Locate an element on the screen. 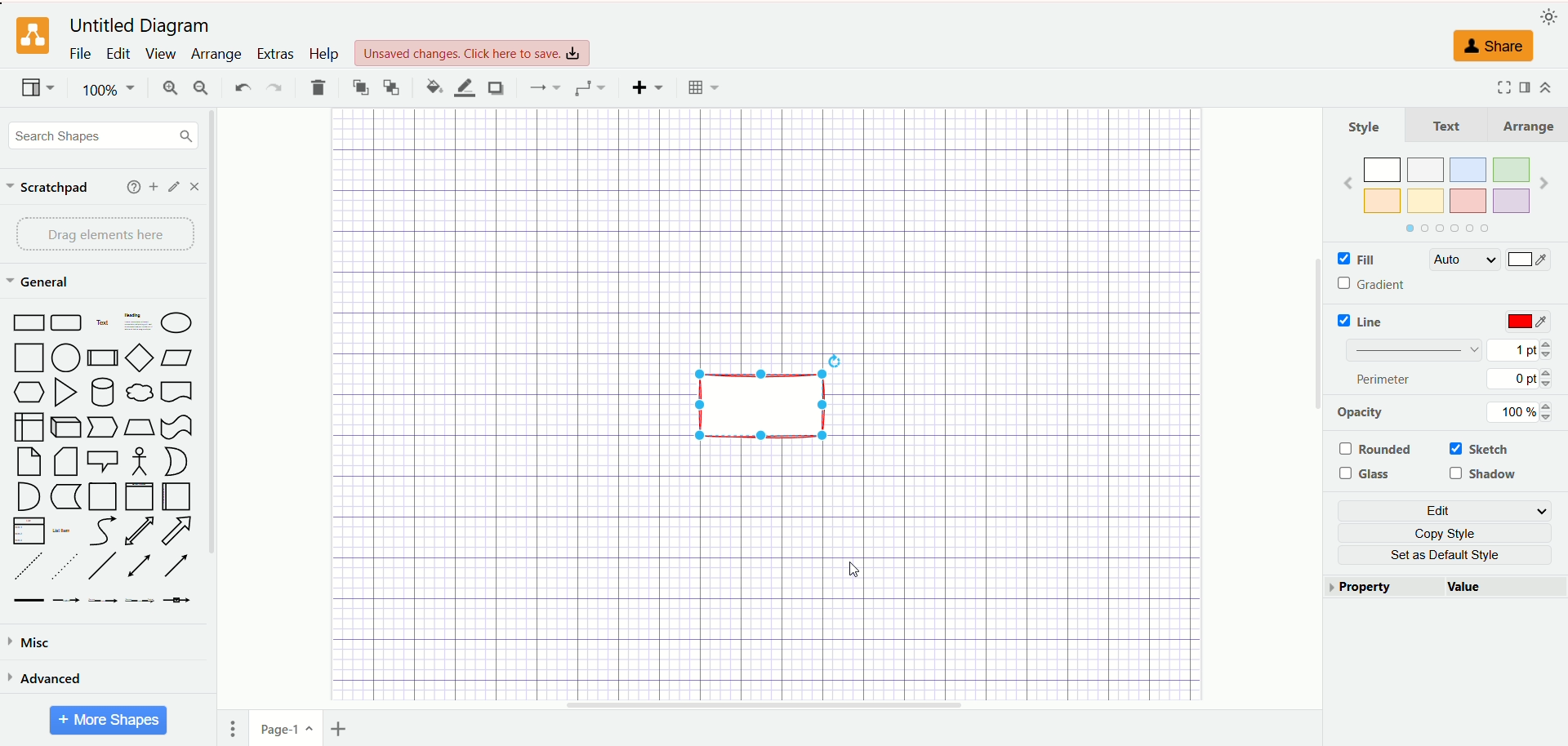 The image size is (1568, 746). pattern is located at coordinates (1417, 349).